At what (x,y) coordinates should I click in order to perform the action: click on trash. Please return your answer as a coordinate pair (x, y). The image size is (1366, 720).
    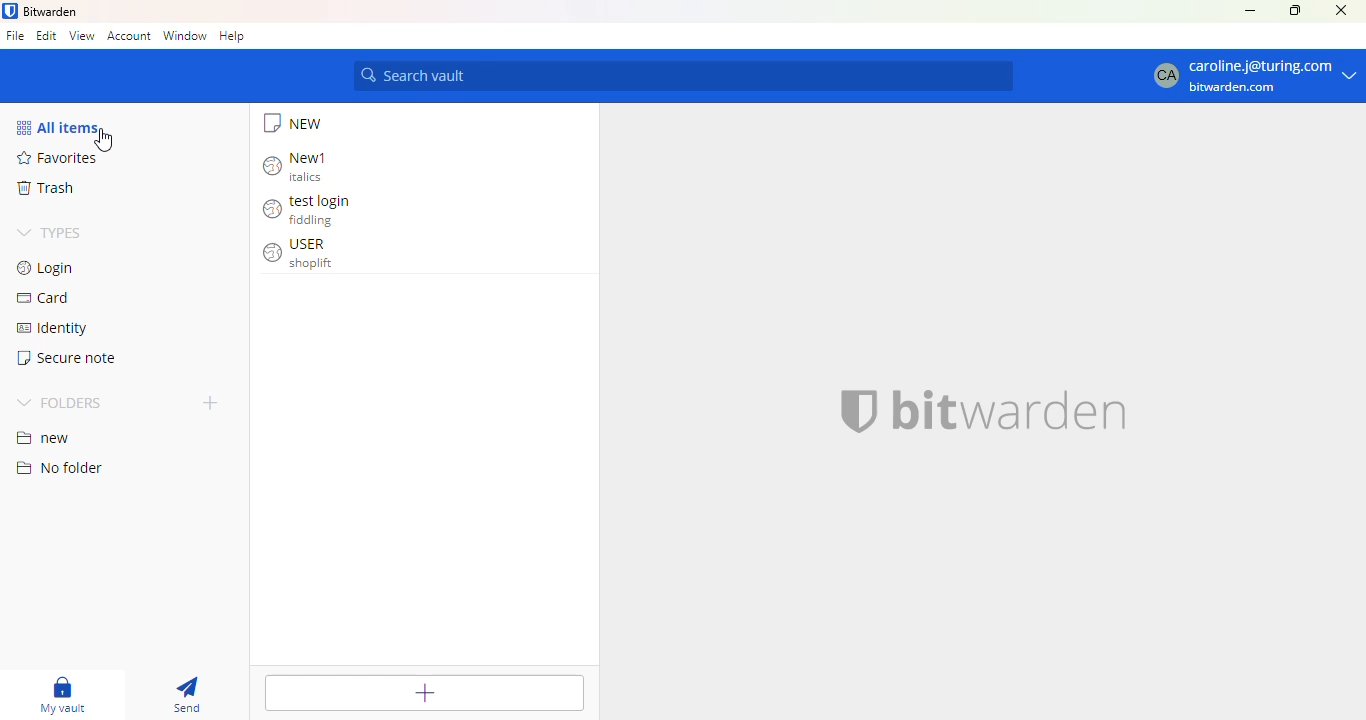
    Looking at the image, I should click on (46, 188).